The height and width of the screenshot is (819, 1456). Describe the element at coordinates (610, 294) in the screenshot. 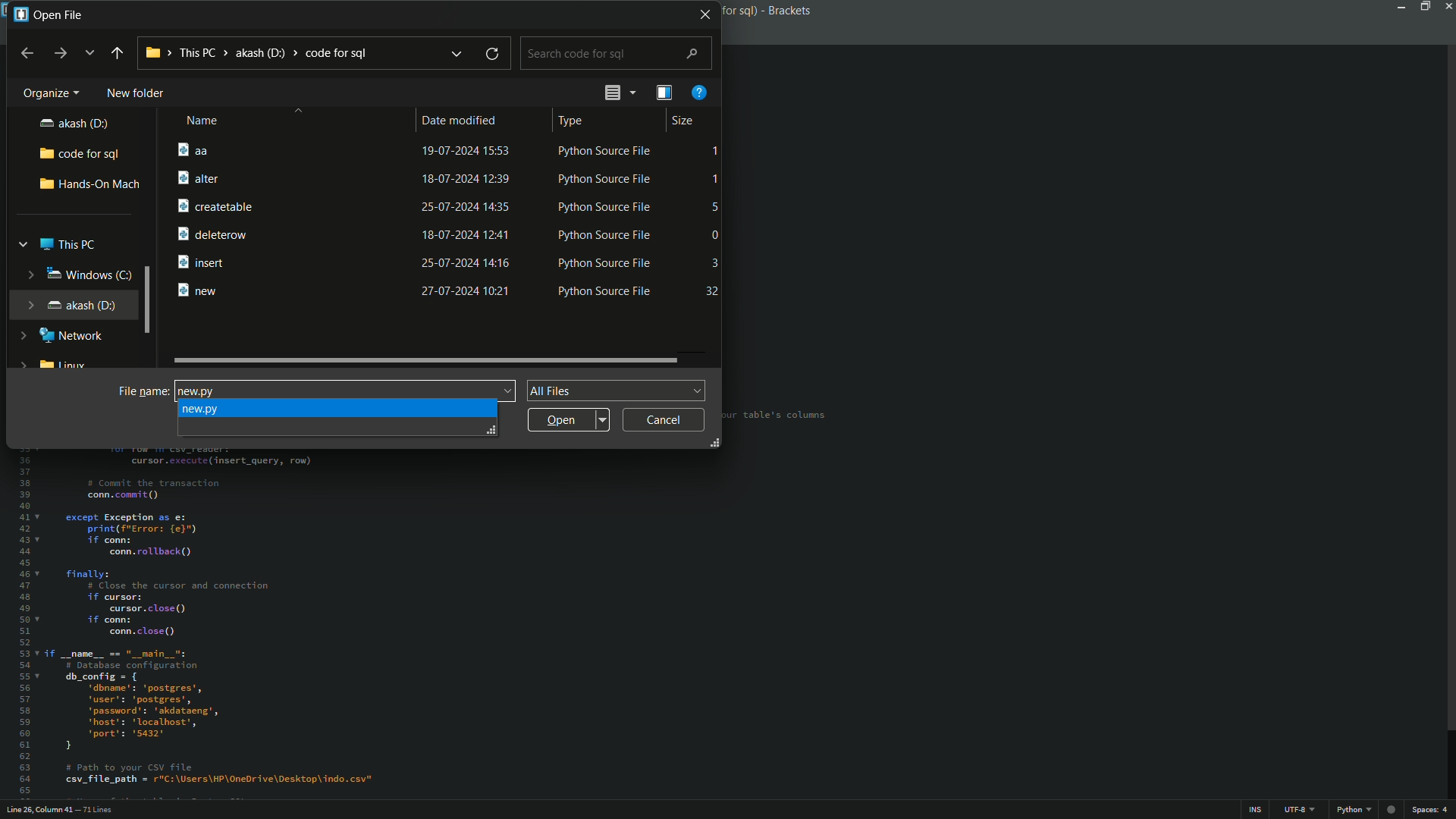

I see `Python Source File` at that location.